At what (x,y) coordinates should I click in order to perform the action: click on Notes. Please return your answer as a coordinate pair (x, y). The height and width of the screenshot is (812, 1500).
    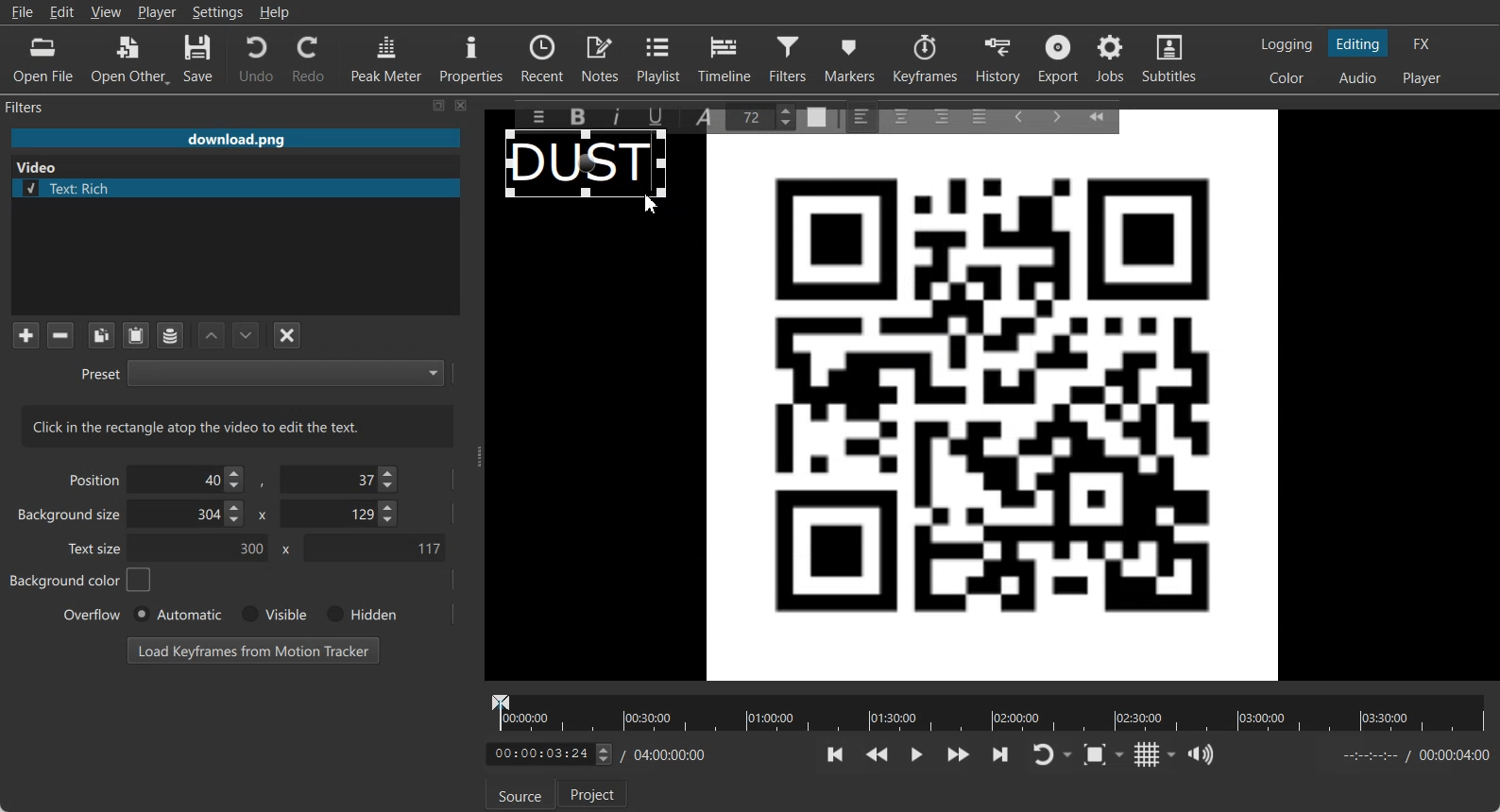
    Looking at the image, I should click on (602, 58).